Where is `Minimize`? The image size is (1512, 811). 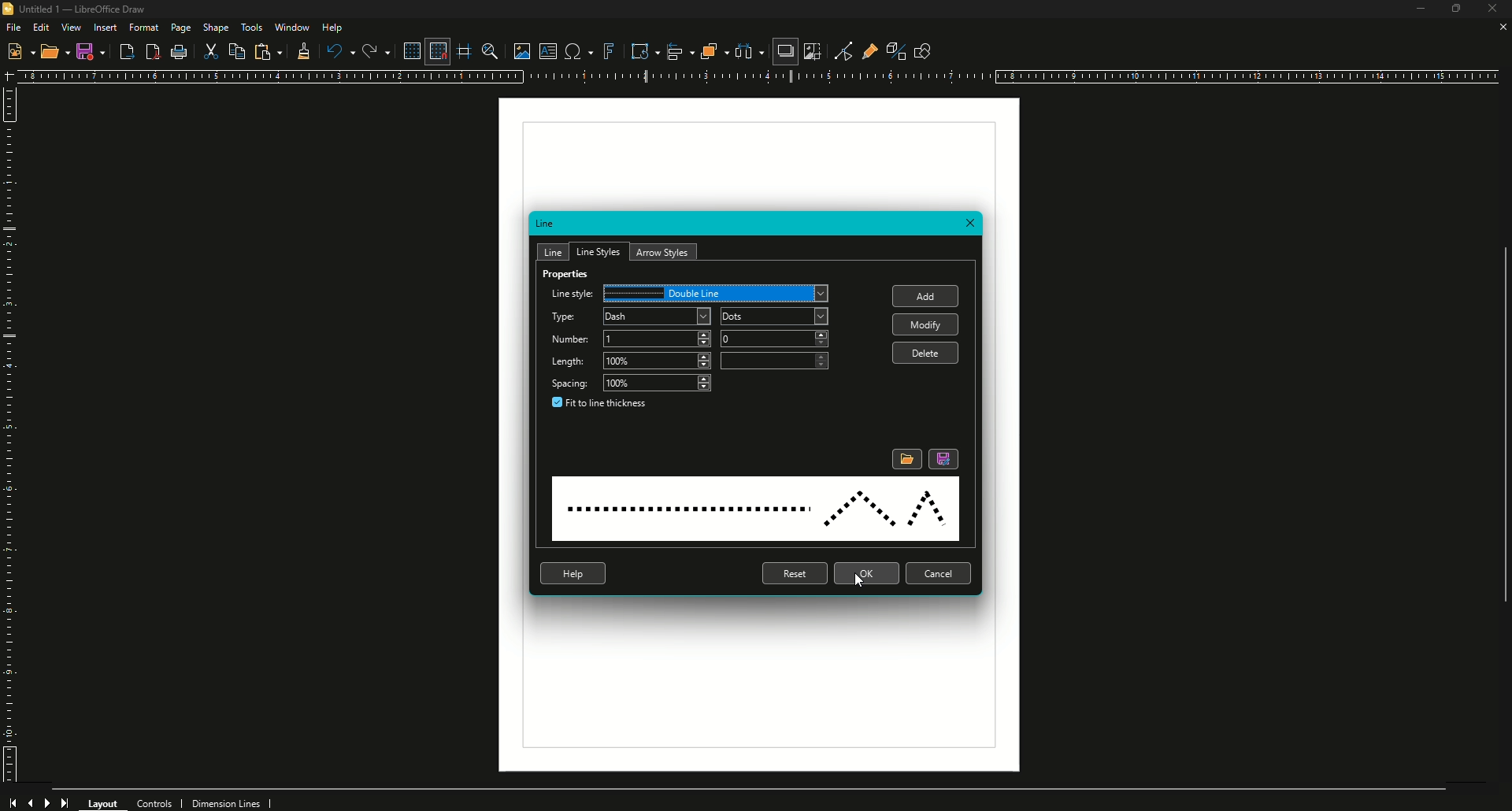 Minimize is located at coordinates (1413, 11).